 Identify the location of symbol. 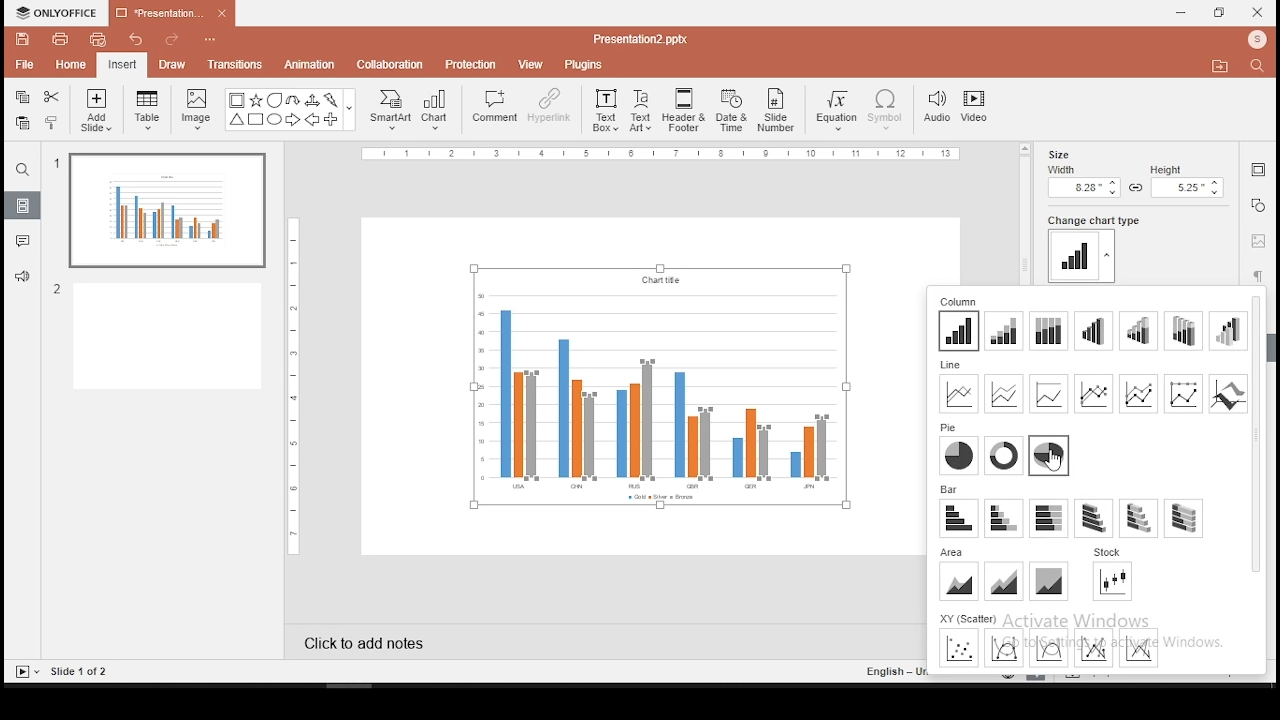
(885, 110).